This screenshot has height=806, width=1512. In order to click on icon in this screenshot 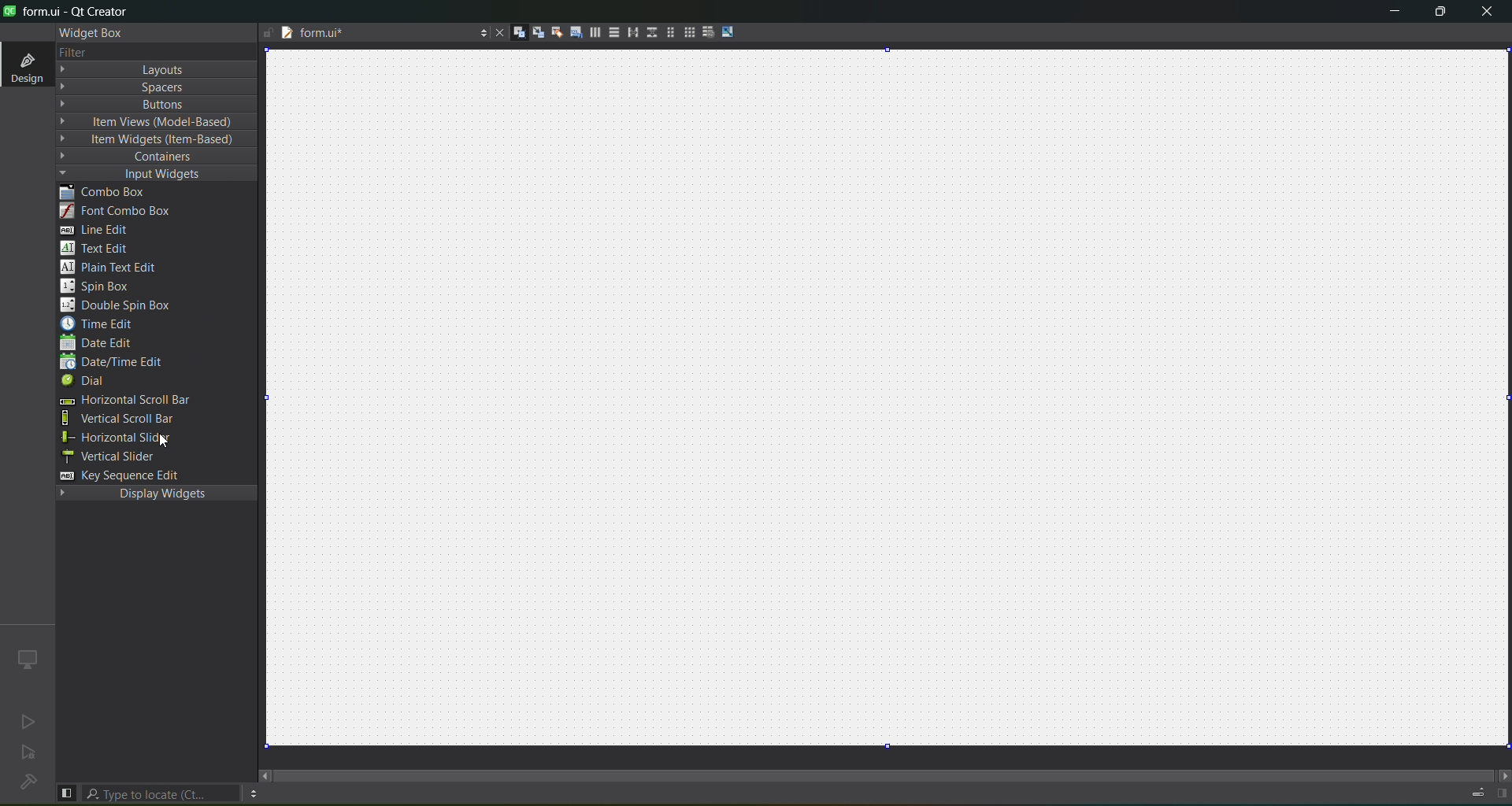, I will do `click(27, 657)`.